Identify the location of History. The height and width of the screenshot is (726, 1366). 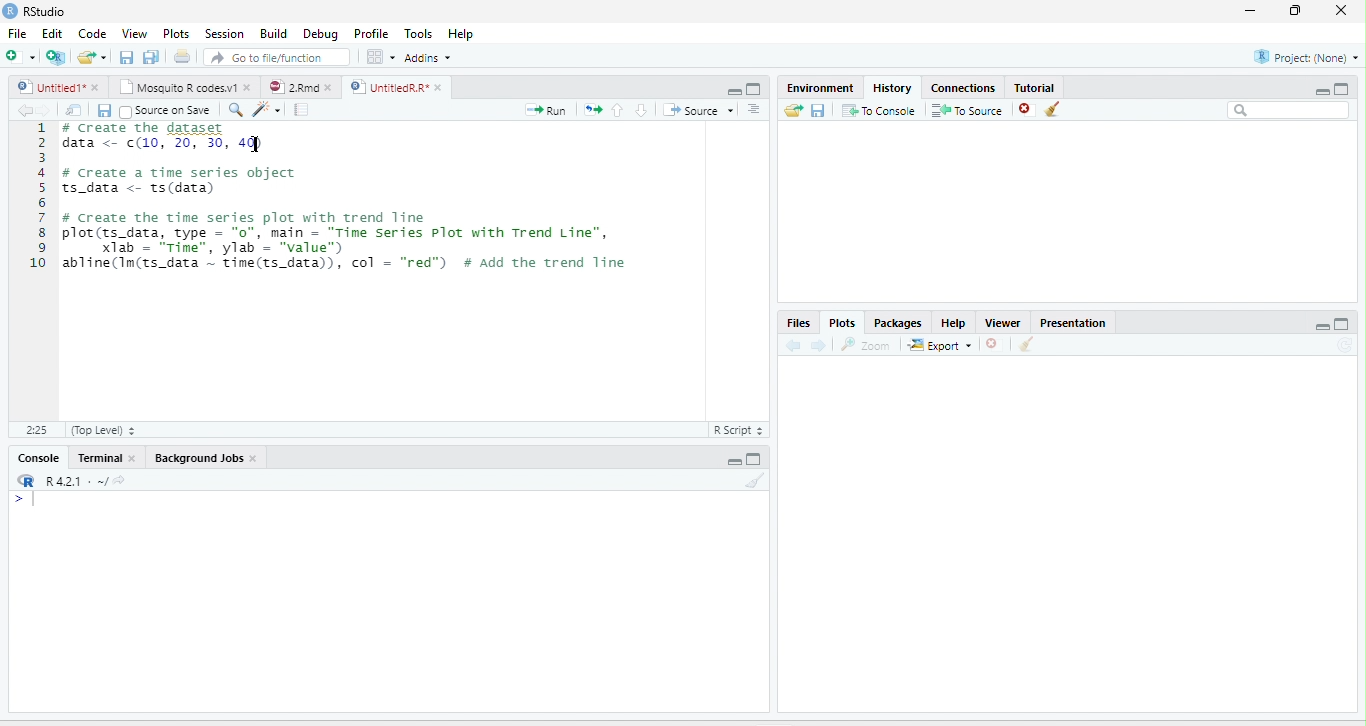
(893, 87).